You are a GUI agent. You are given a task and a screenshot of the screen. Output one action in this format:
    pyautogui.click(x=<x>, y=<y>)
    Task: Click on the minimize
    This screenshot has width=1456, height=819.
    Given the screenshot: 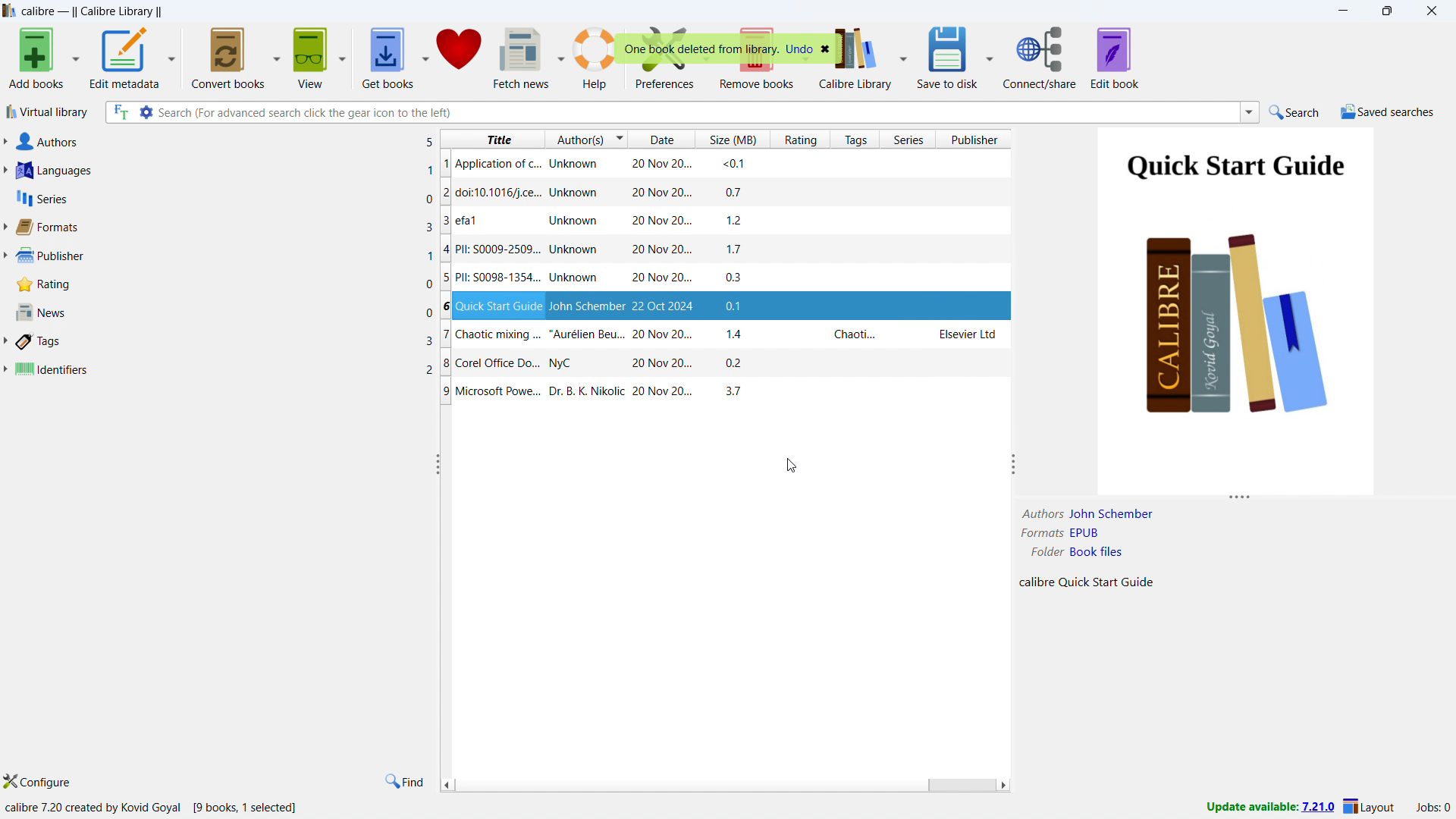 What is the action you would take?
    pyautogui.click(x=1345, y=9)
    